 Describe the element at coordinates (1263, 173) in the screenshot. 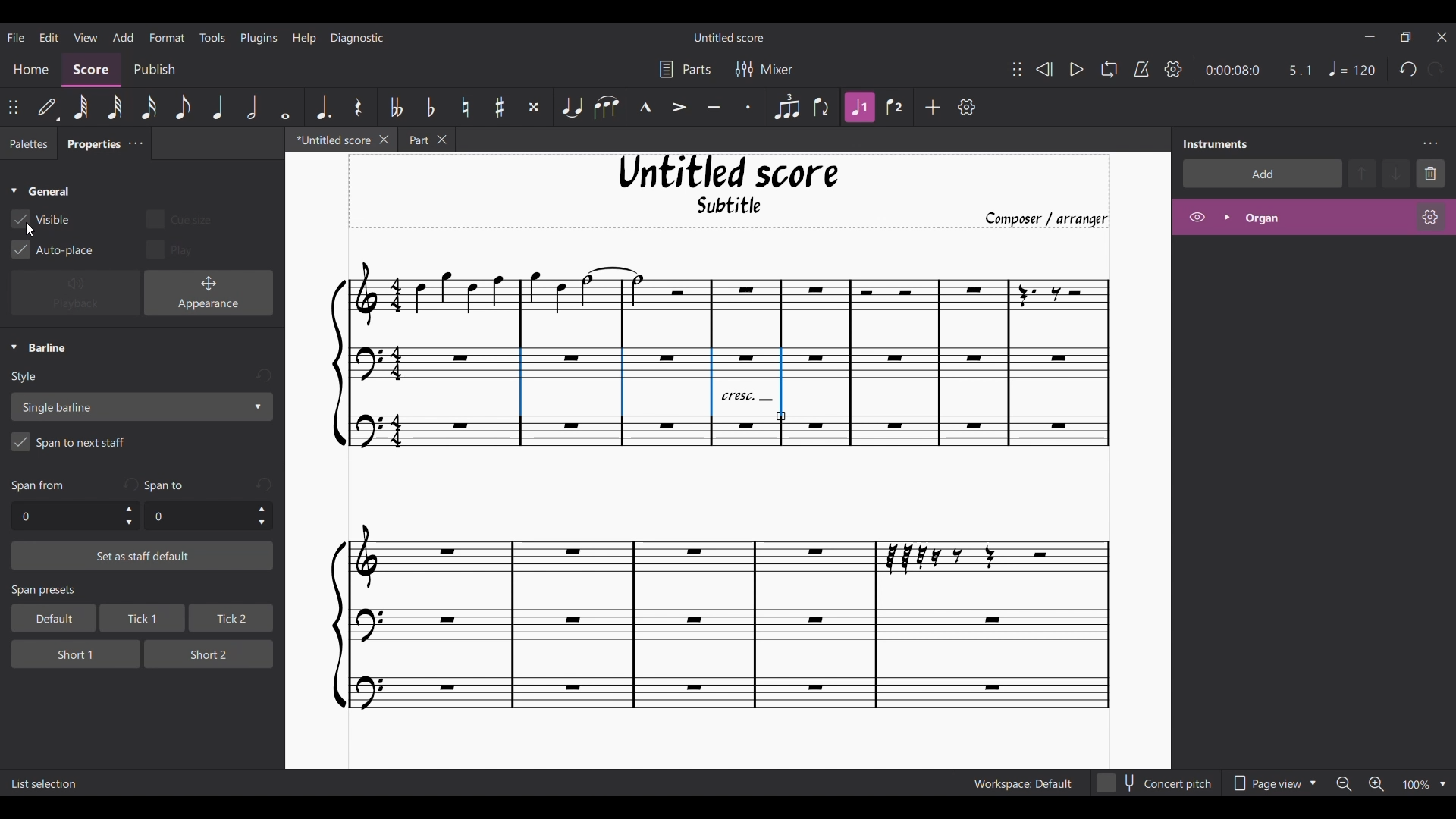

I see `Add instrument` at that location.